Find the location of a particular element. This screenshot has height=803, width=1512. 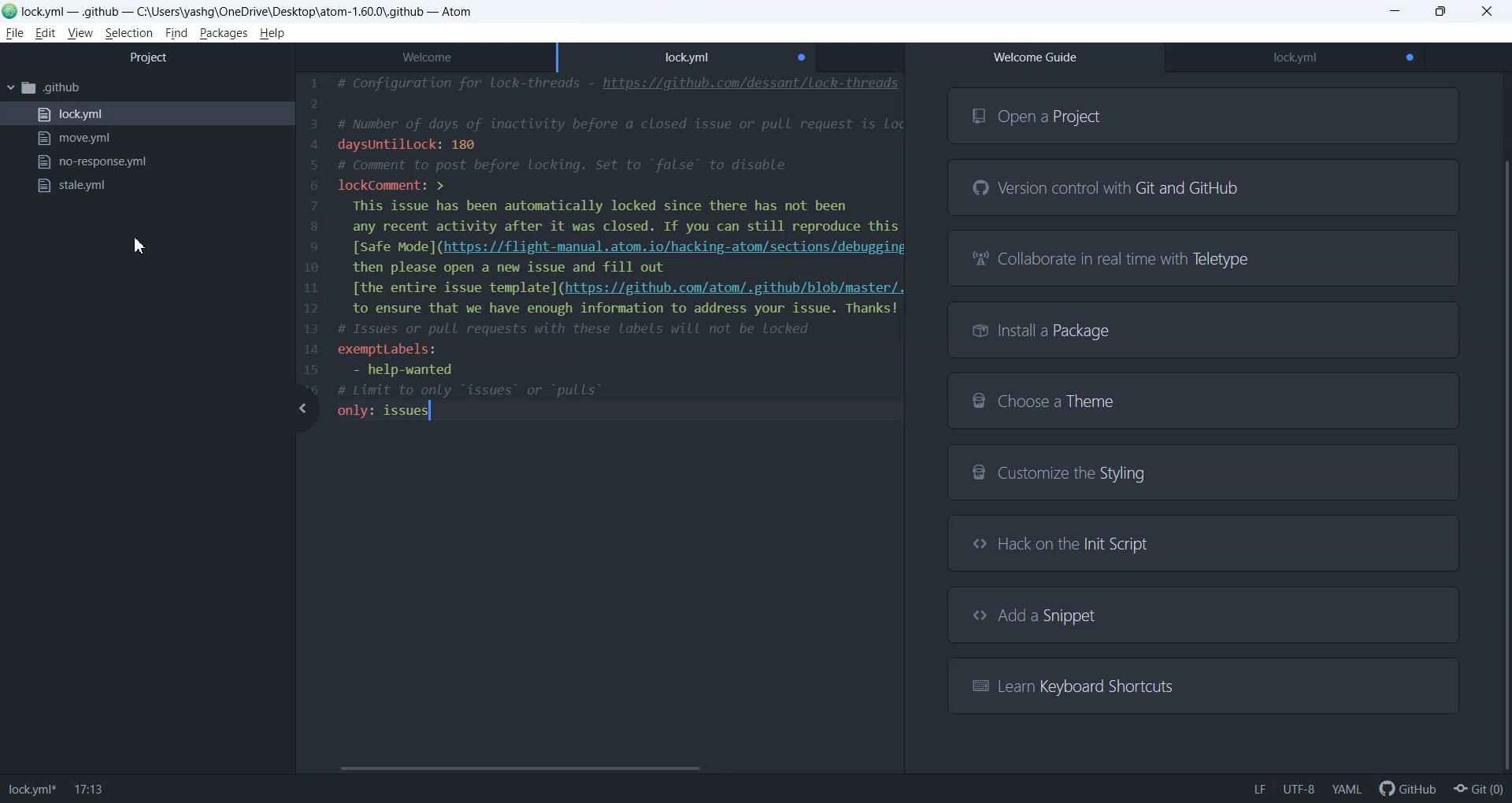

Hack on the Init Script is located at coordinates (1197, 542).